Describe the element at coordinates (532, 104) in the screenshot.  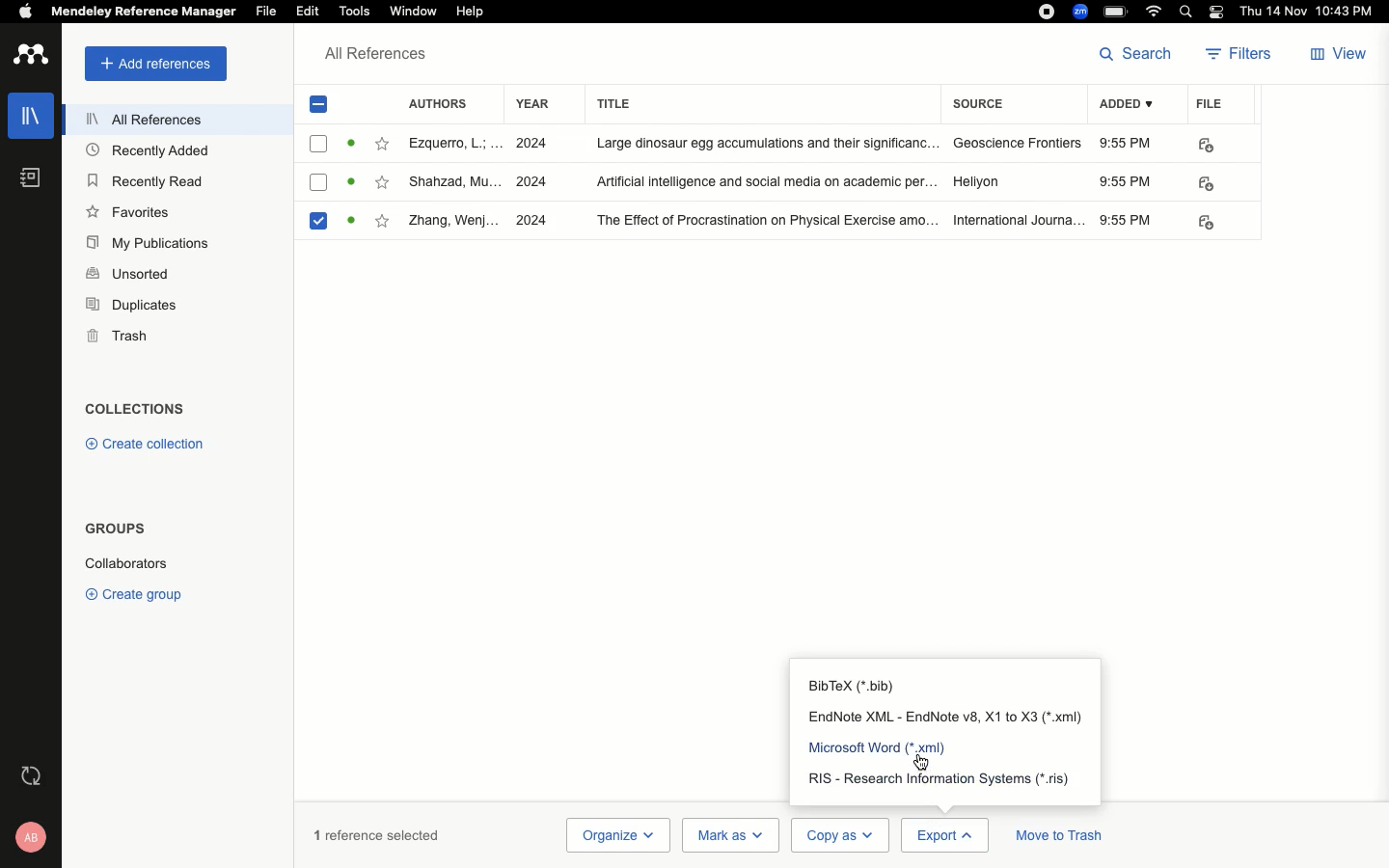
I see `Year` at that location.